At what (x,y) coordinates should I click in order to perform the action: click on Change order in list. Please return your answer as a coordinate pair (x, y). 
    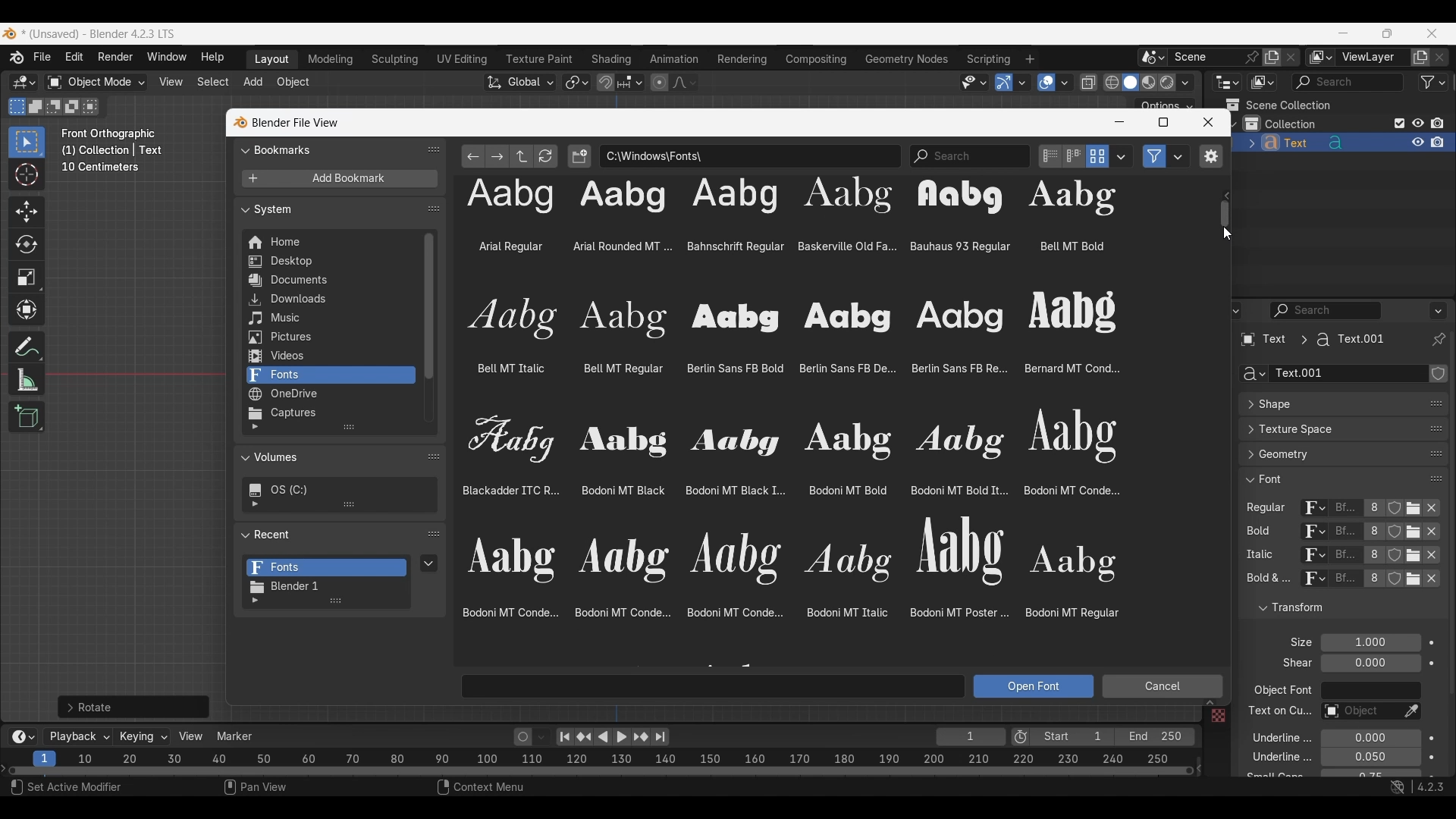
    Looking at the image, I should click on (434, 535).